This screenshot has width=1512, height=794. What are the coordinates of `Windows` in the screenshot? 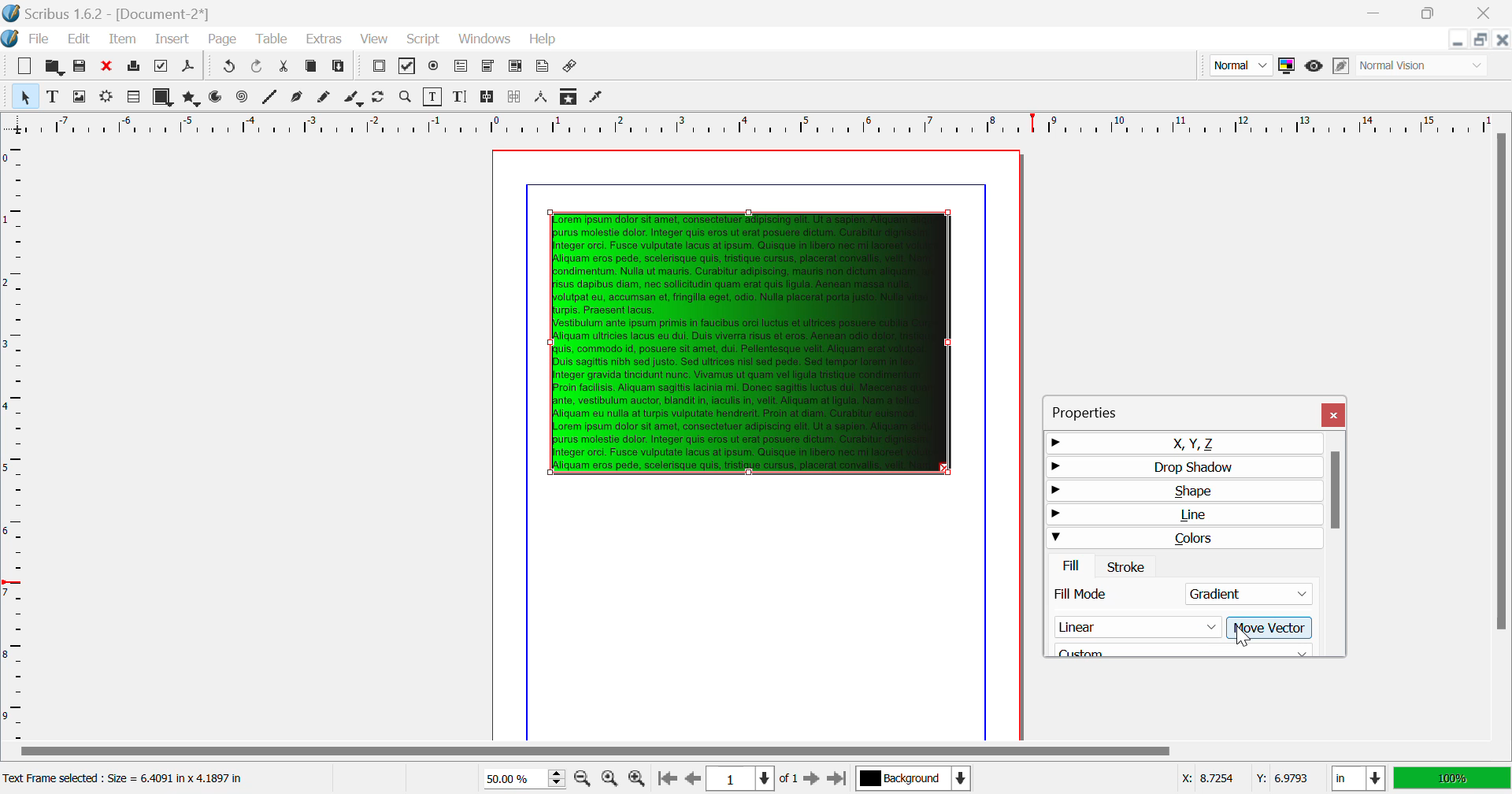 It's located at (485, 39).